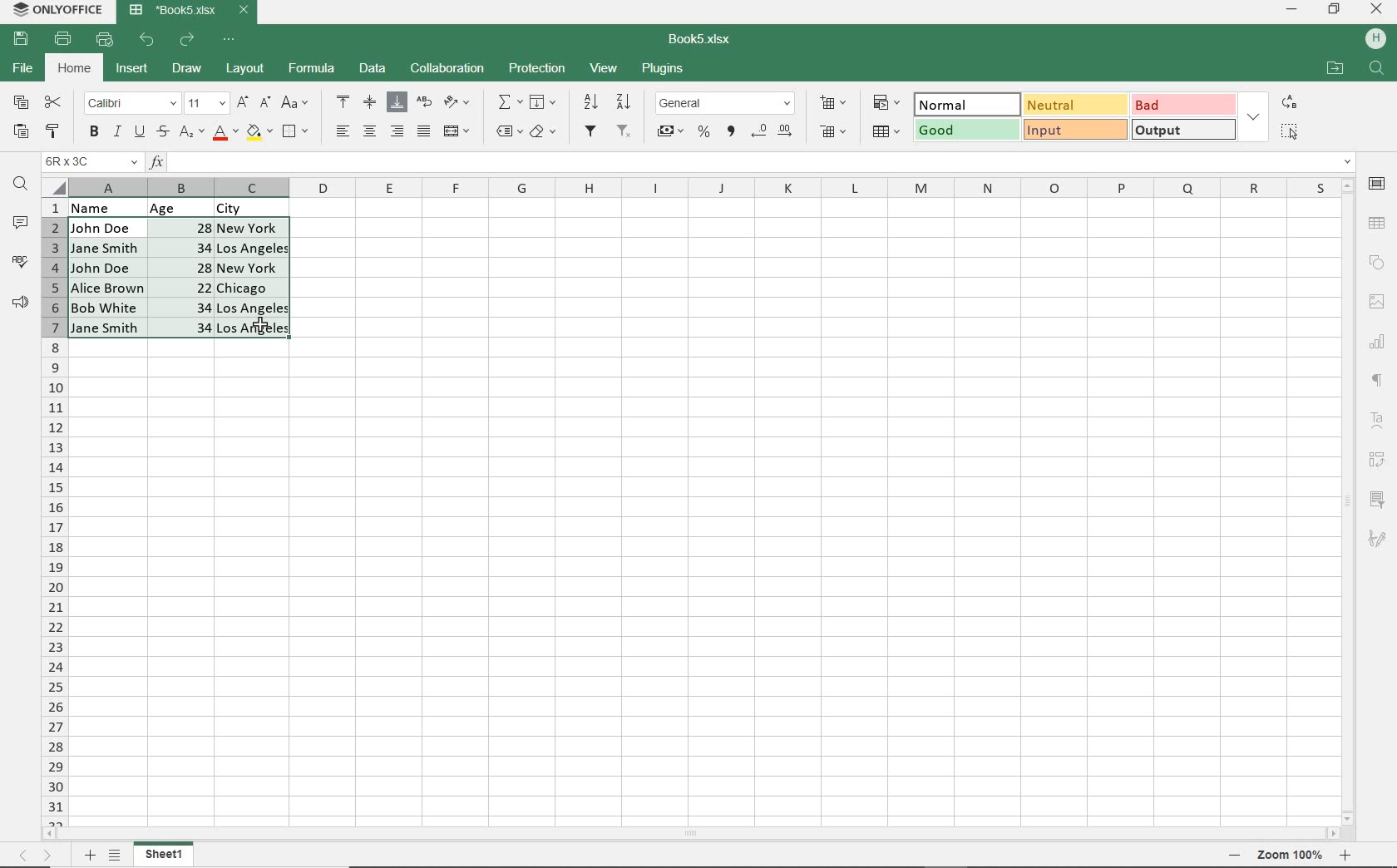  What do you see at coordinates (771, 132) in the screenshot?
I see `CHANGE DECIMAL PLACE` at bounding box center [771, 132].